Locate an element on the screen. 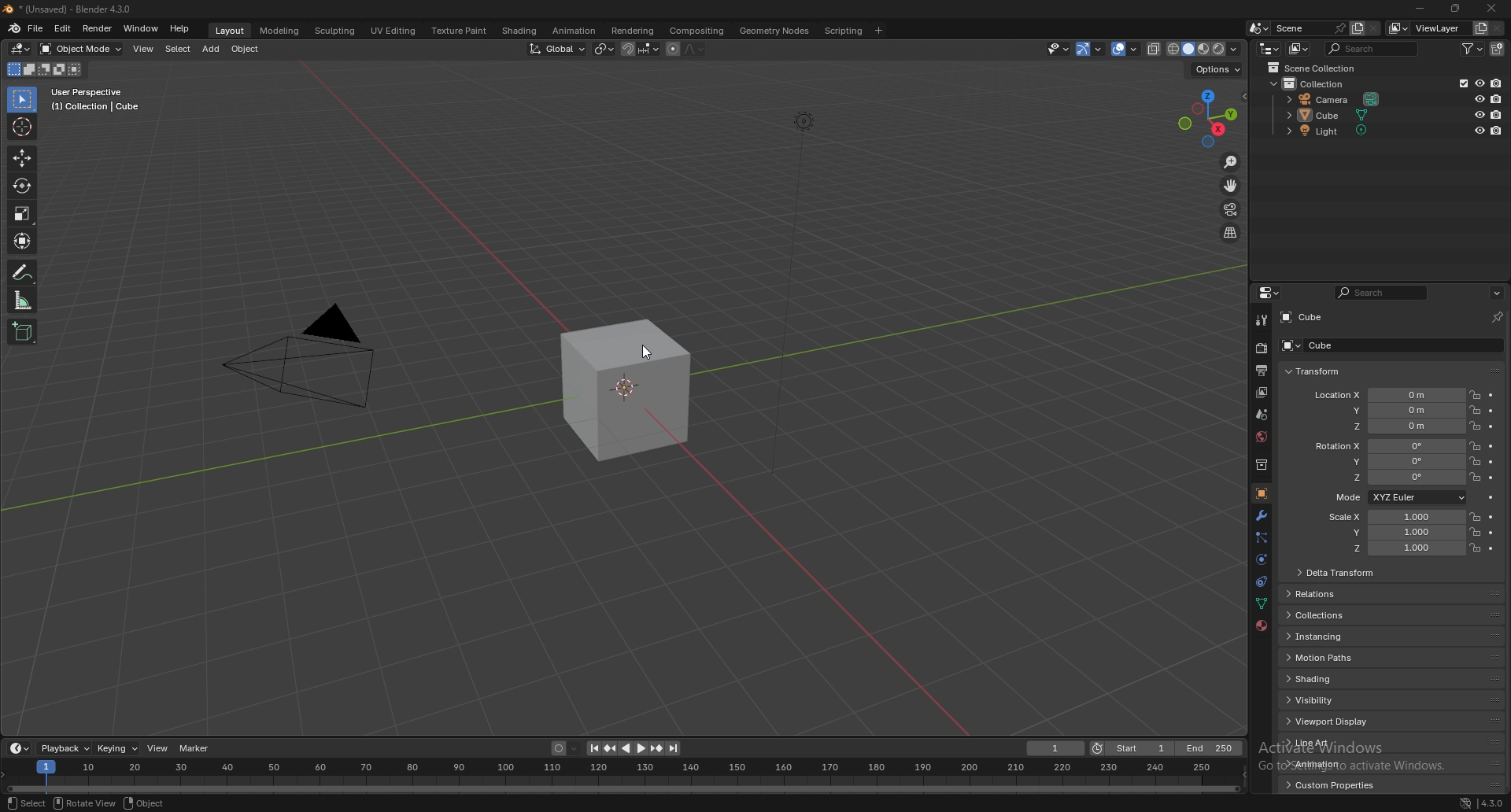 The image size is (1511, 812). world is located at coordinates (1261, 437).